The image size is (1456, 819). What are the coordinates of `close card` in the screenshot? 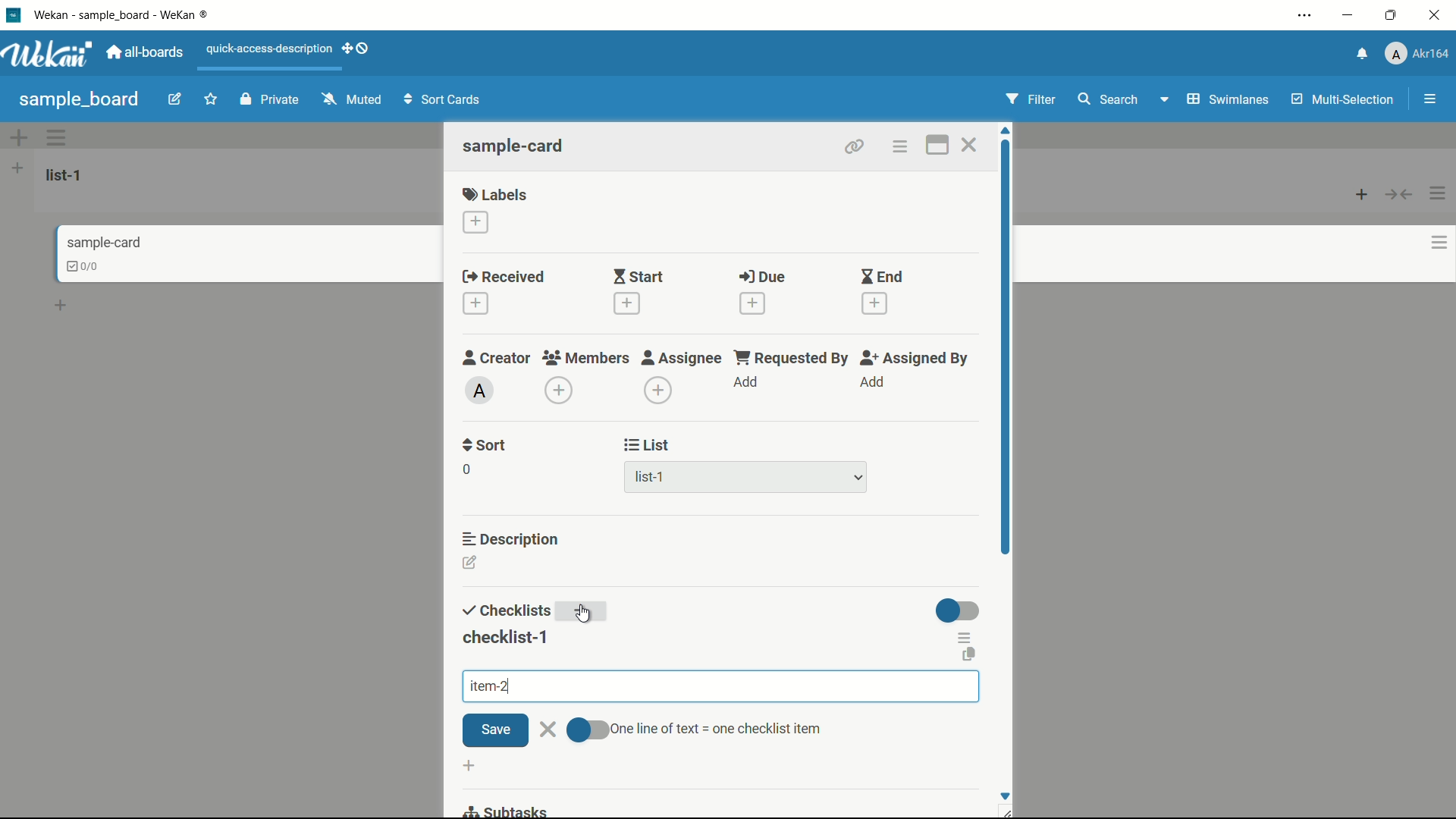 It's located at (968, 147).